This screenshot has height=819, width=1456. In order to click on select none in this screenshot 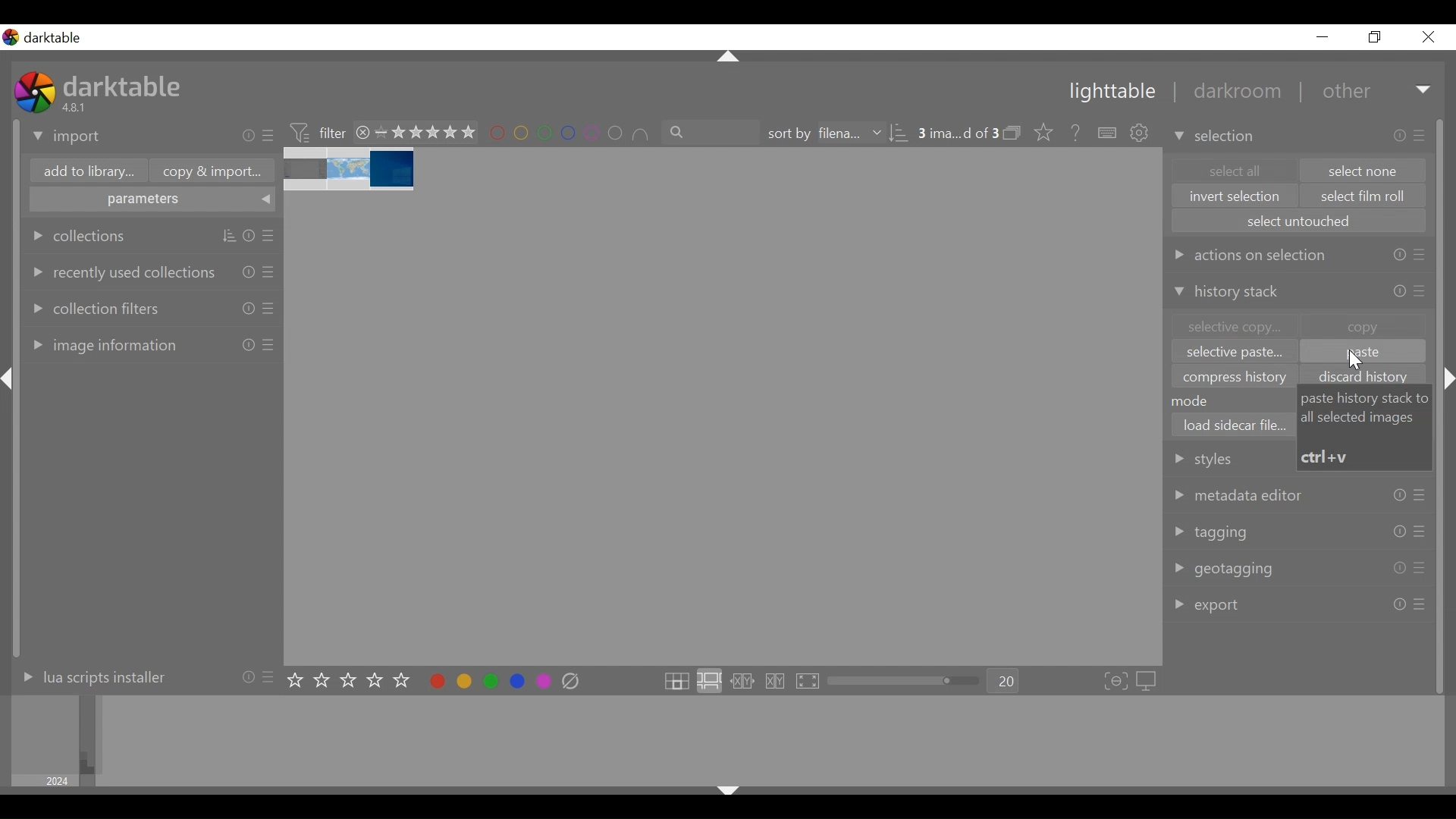, I will do `click(1364, 171)`.